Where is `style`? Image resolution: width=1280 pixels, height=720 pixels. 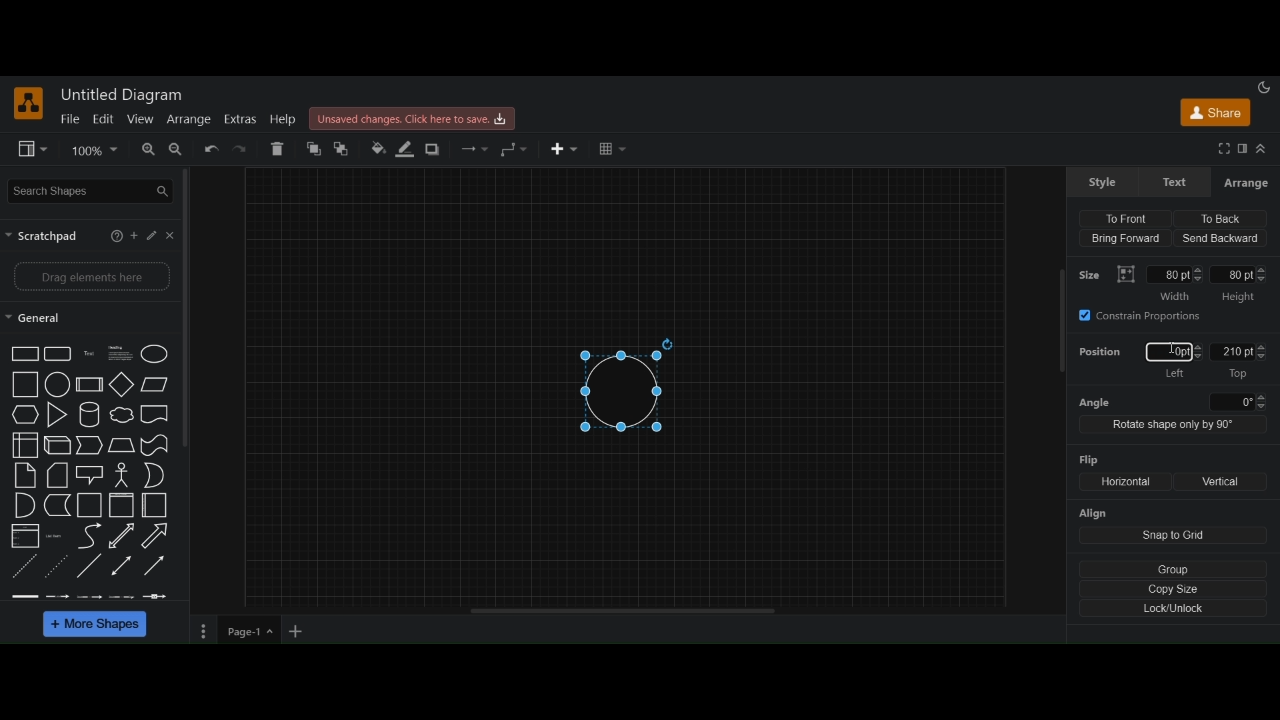 style is located at coordinates (1103, 182).